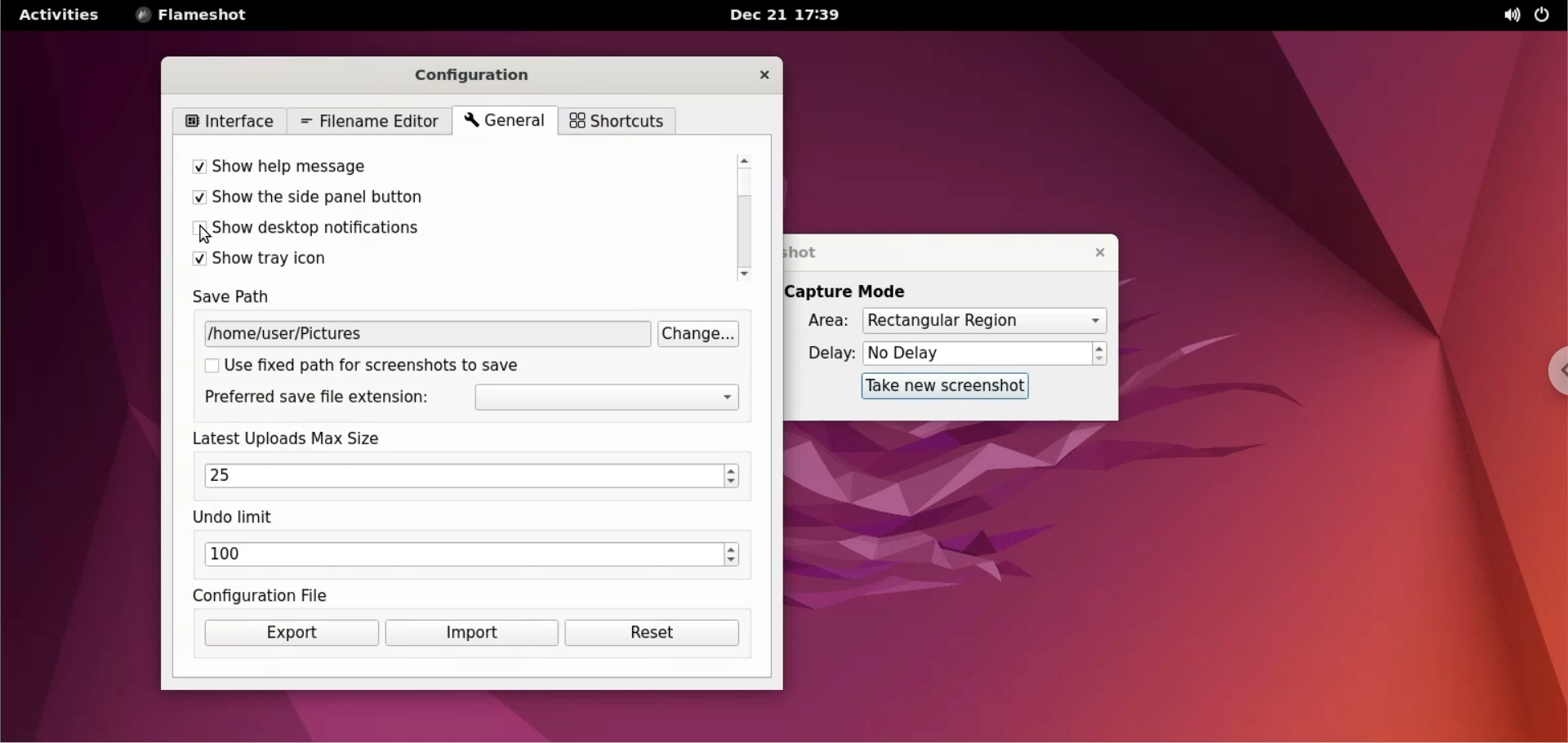  Describe the element at coordinates (732, 476) in the screenshot. I see `increment or decrement upload max size` at that location.